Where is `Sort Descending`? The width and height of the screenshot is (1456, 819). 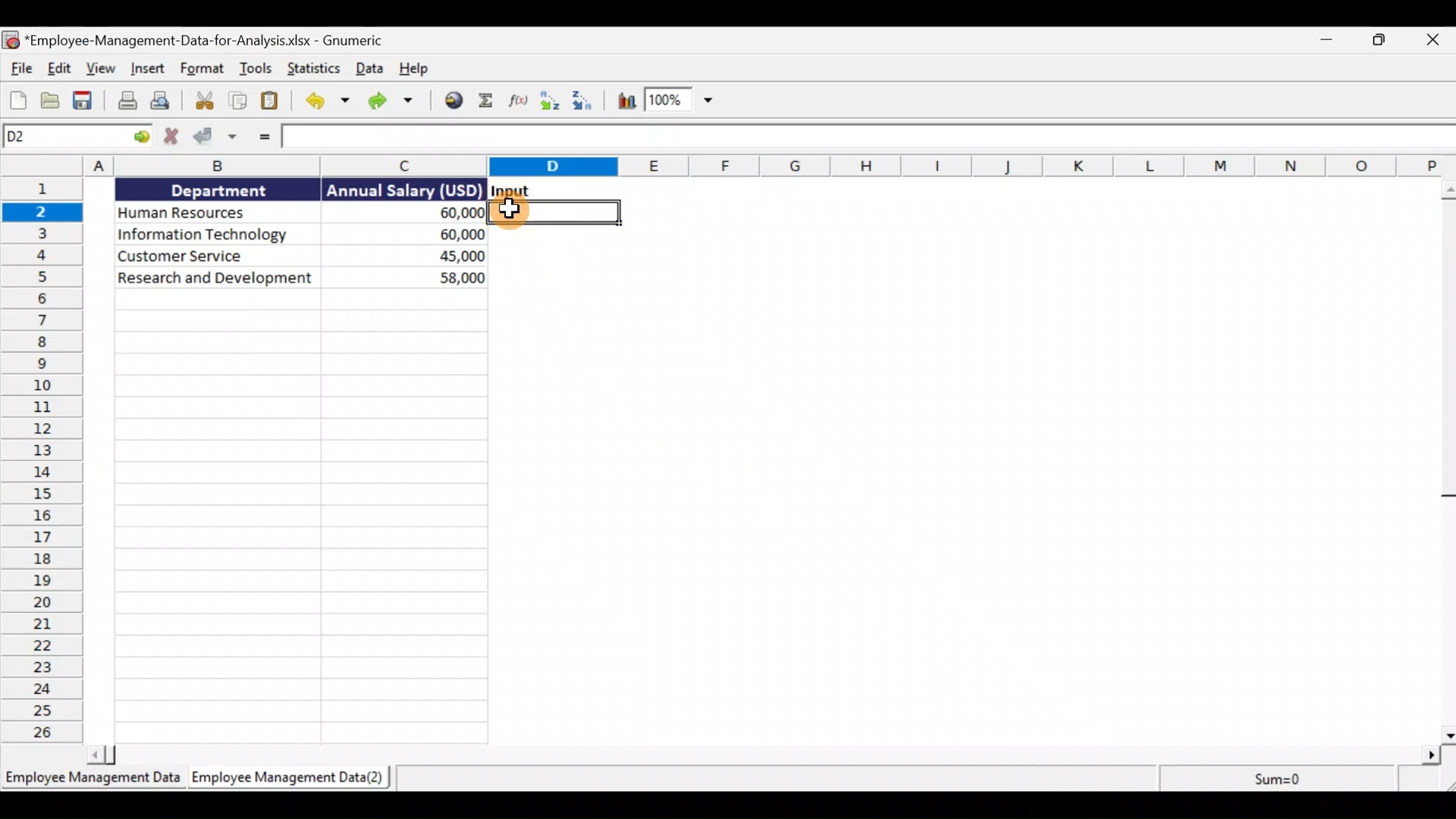
Sort Descending is located at coordinates (586, 101).